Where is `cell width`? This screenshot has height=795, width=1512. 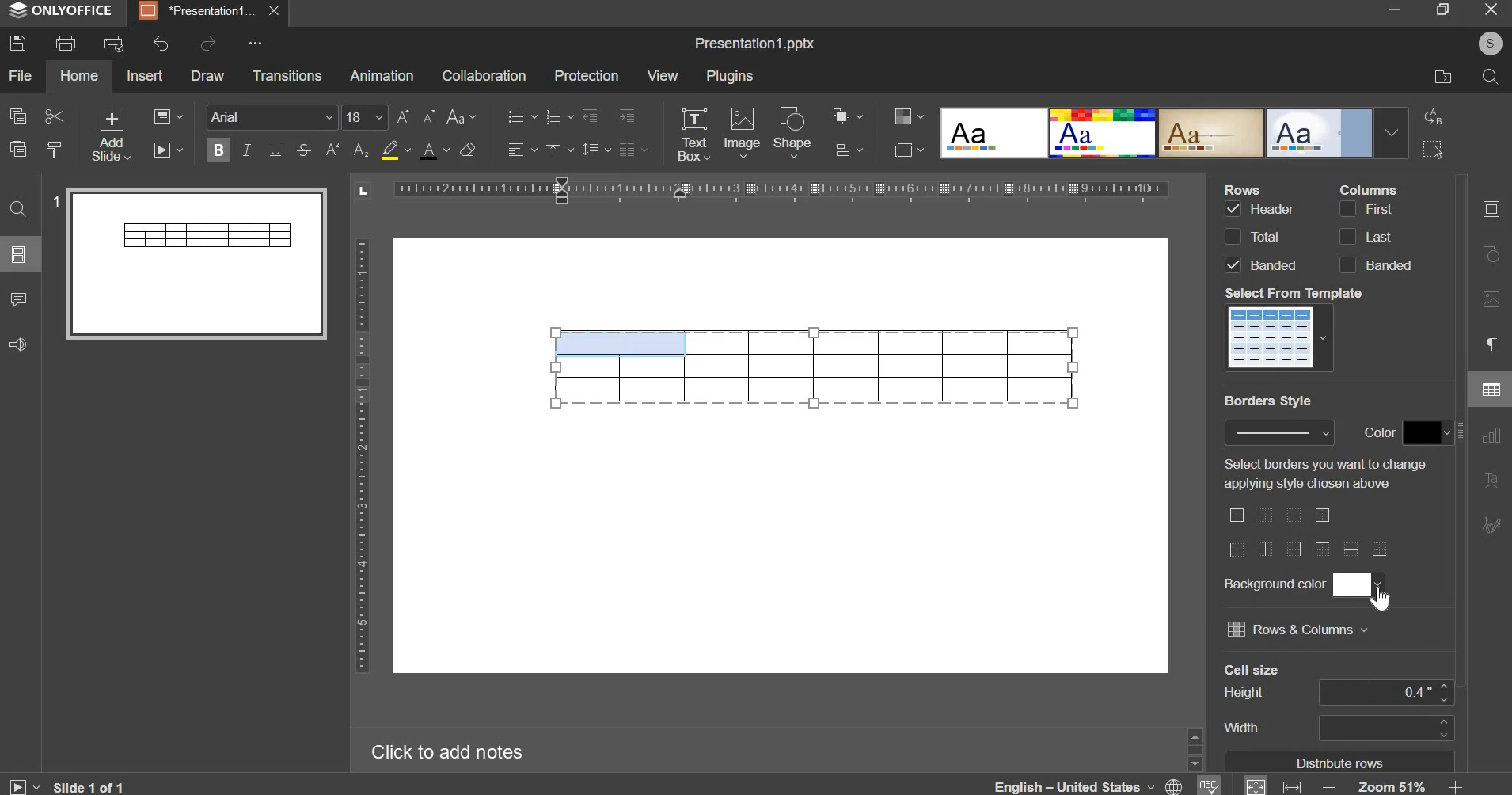
cell width is located at coordinates (1385, 727).